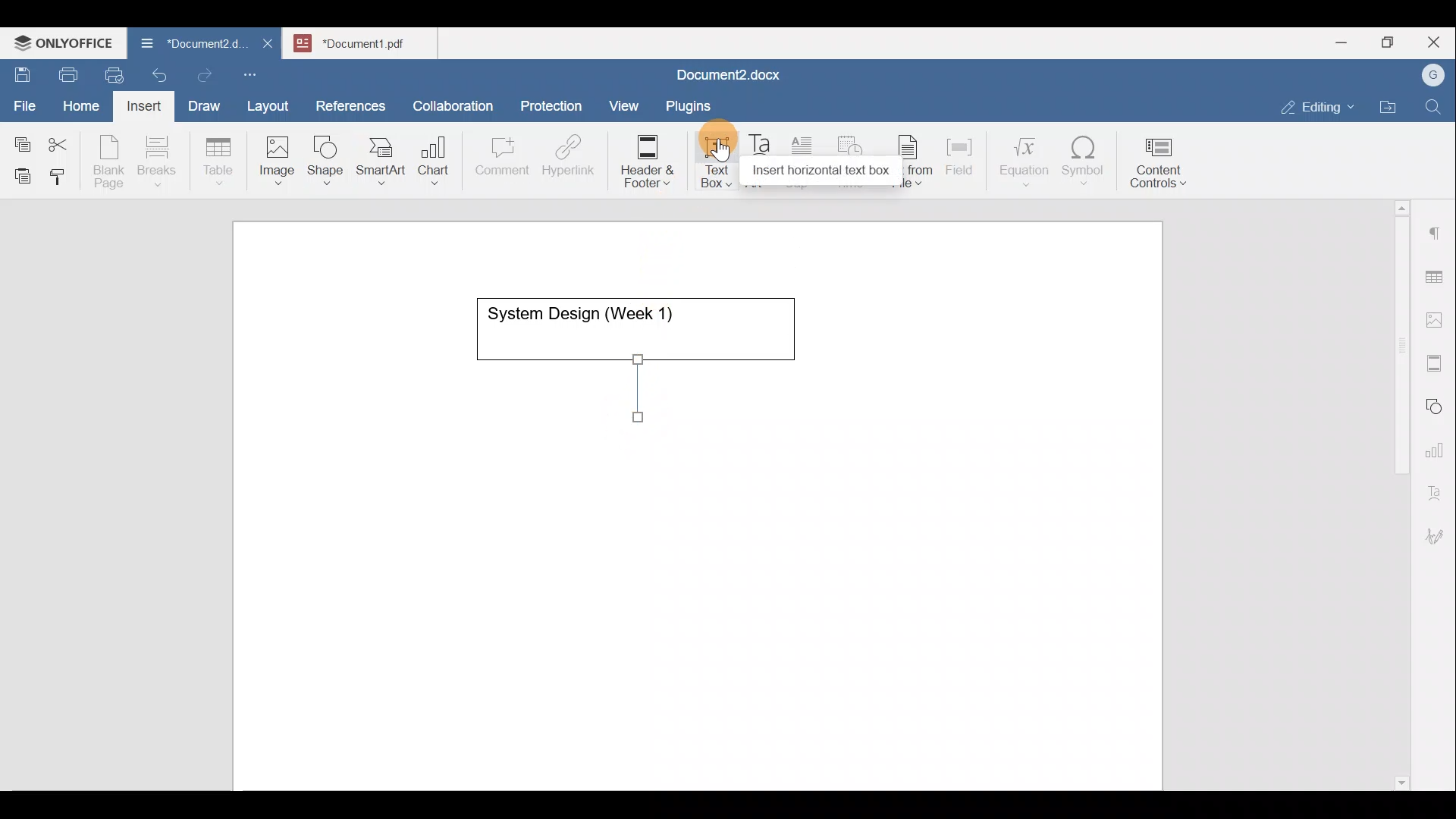  Describe the element at coordinates (369, 41) in the screenshot. I see `Document name` at that location.